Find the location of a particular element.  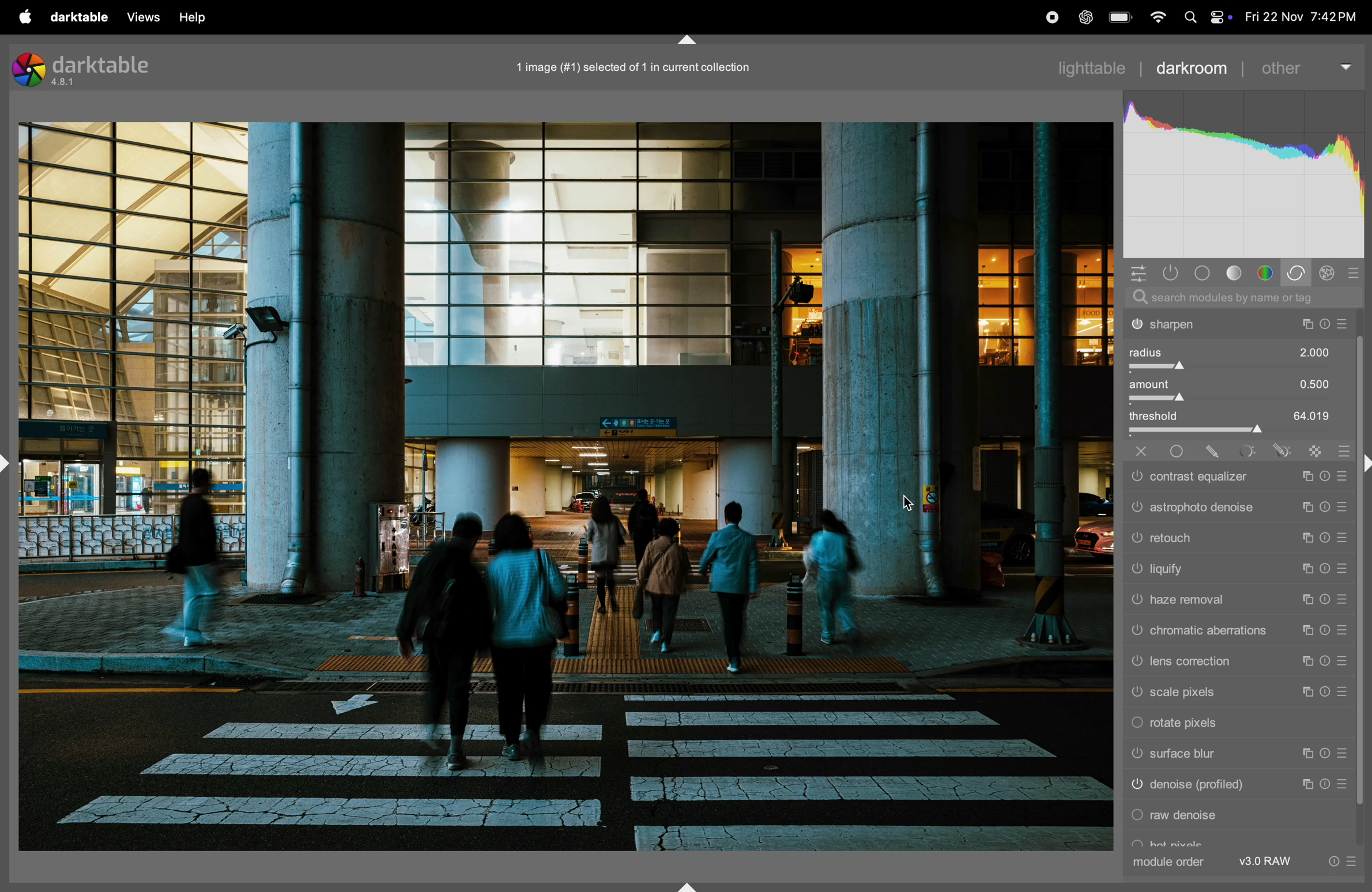

sacle pixels is located at coordinates (1237, 693).